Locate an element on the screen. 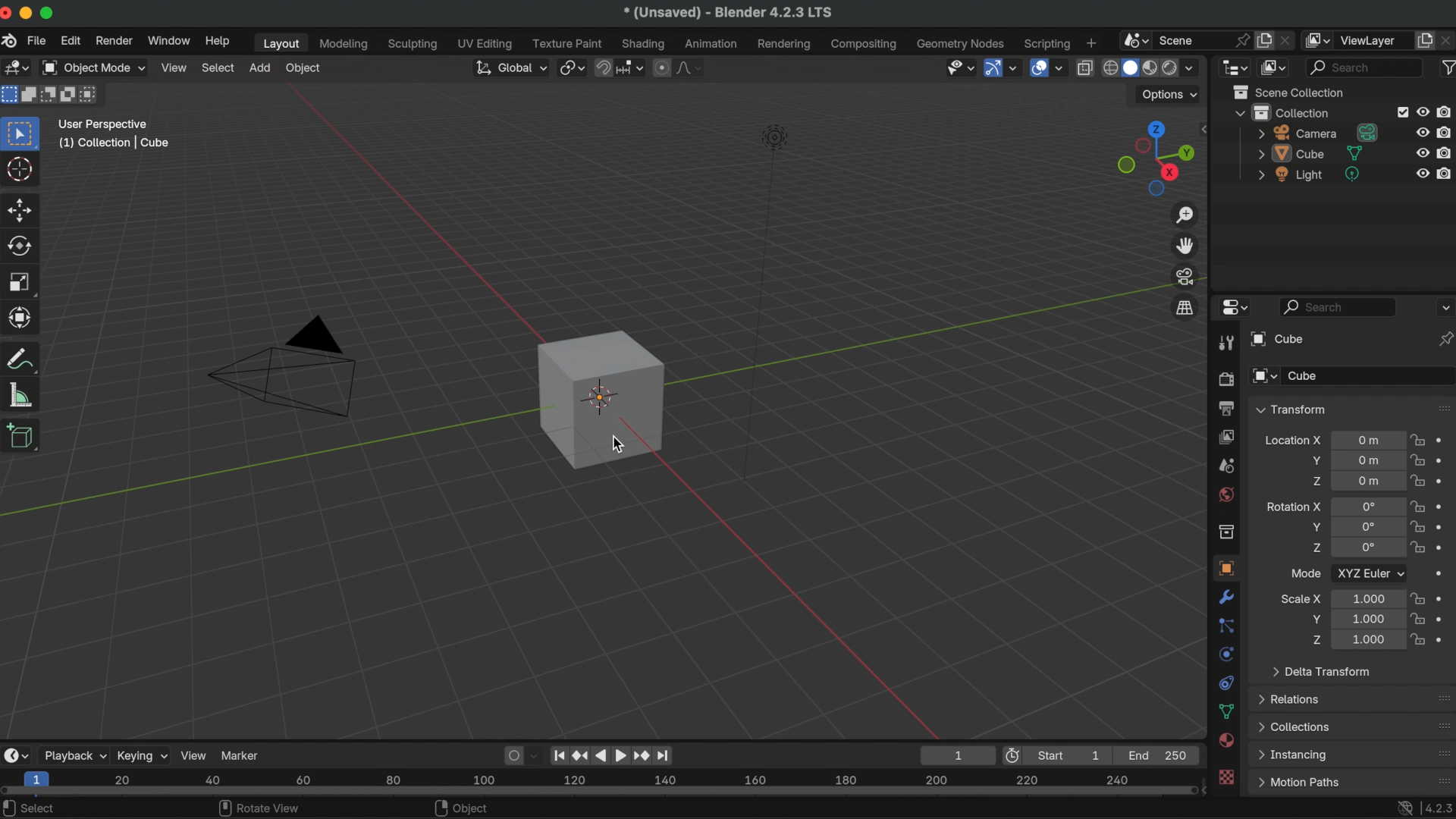  texture paint is located at coordinates (567, 43).